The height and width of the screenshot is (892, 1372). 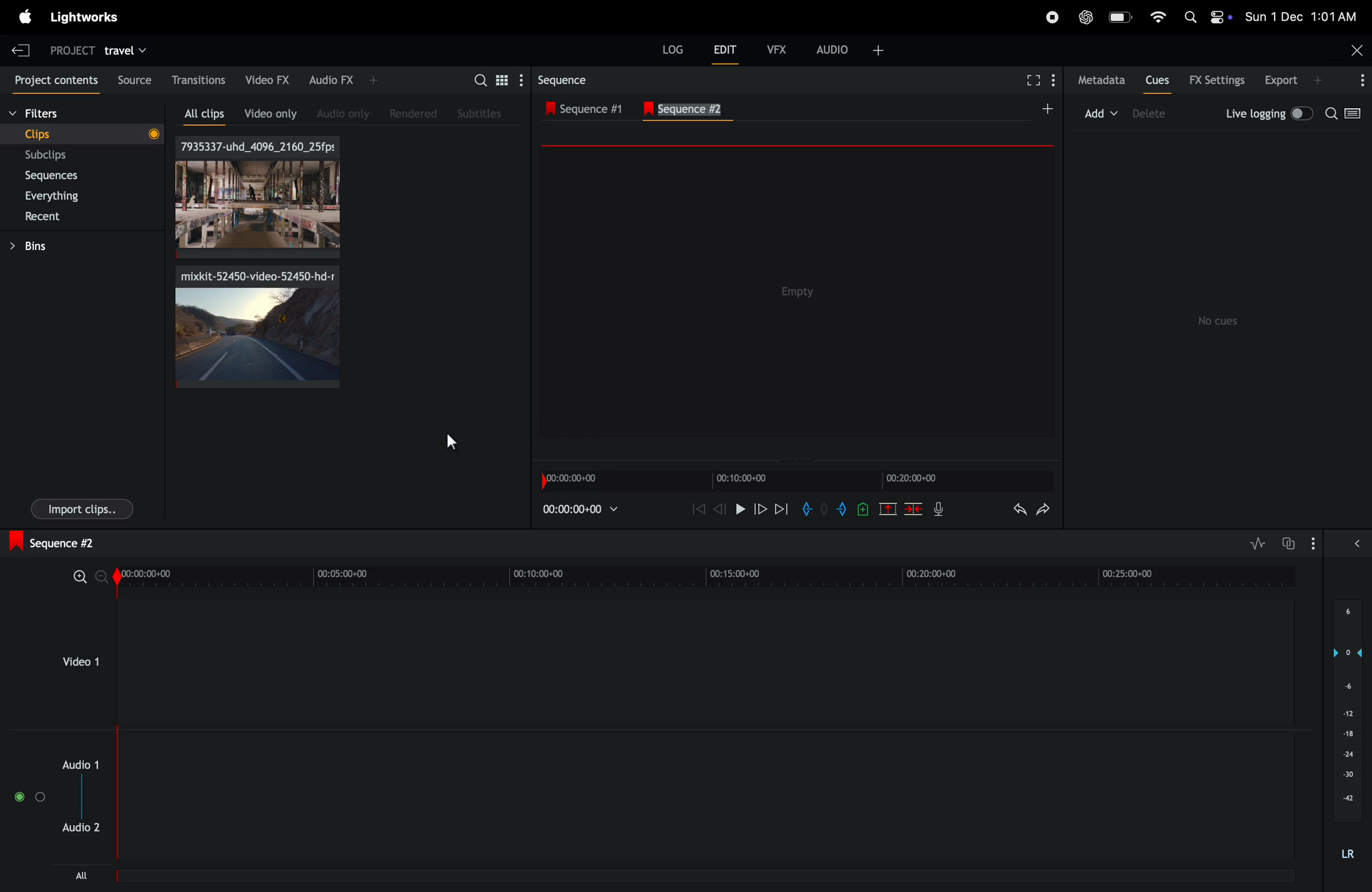 I want to click on add, so click(x=1045, y=108).